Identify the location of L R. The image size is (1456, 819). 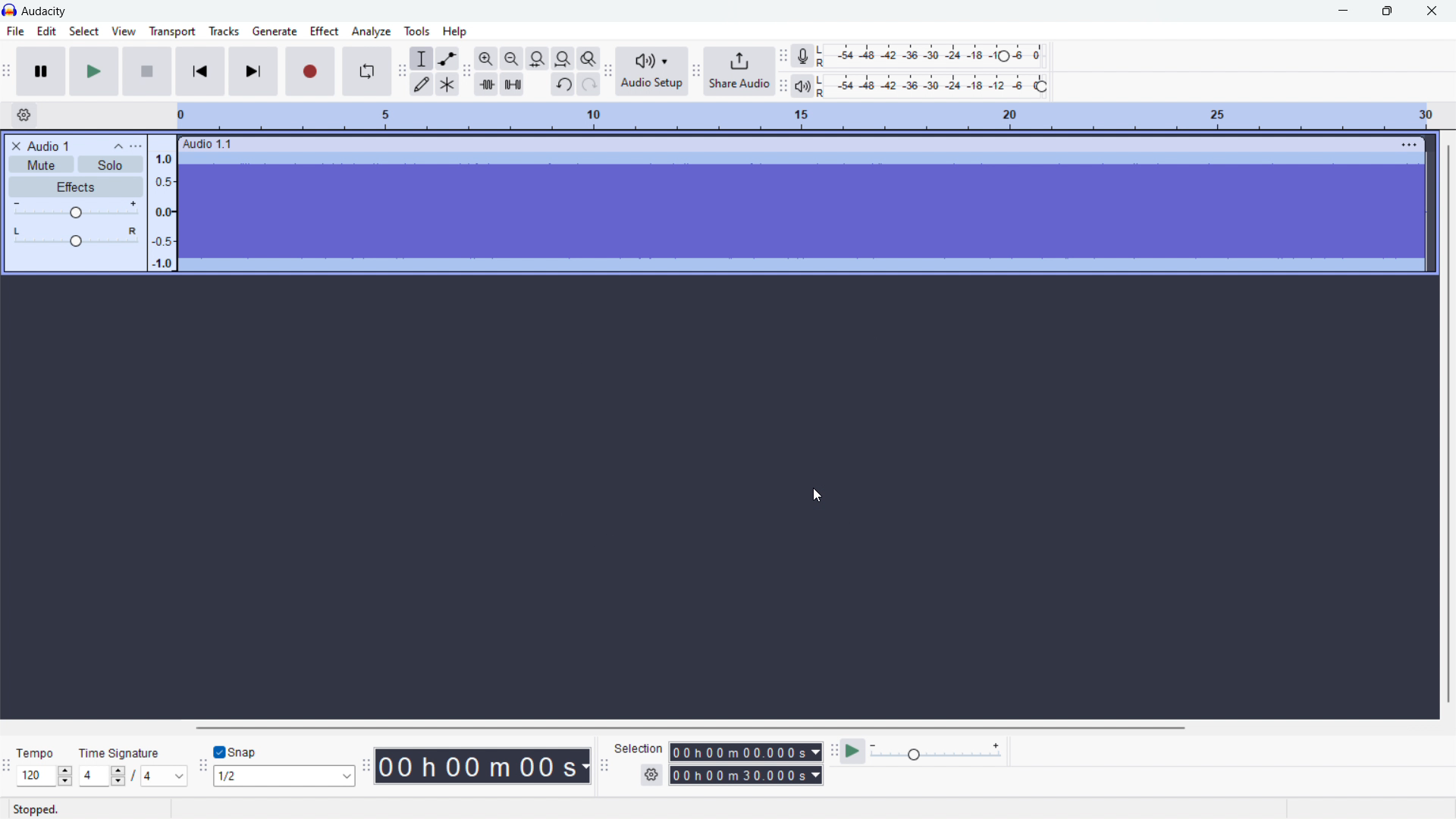
(823, 71).